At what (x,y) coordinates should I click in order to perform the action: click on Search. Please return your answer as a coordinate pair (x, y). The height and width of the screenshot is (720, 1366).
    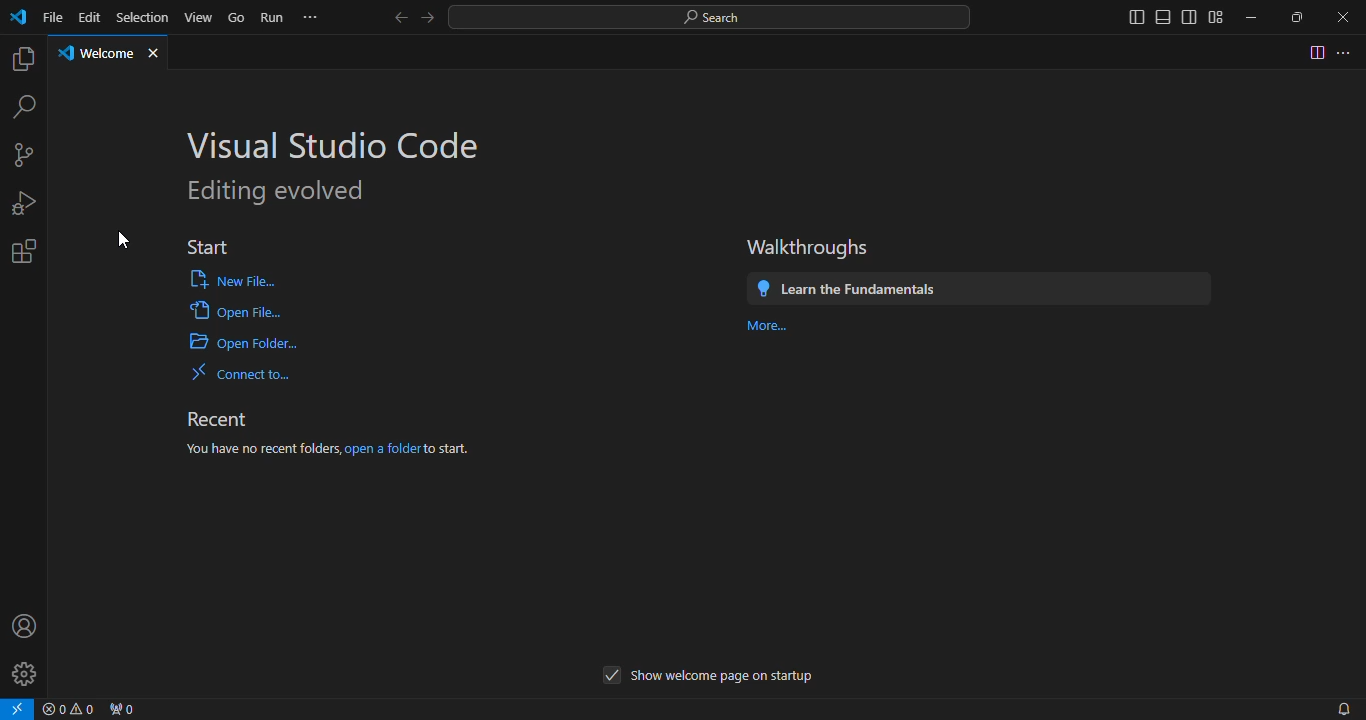
    Looking at the image, I should click on (710, 17).